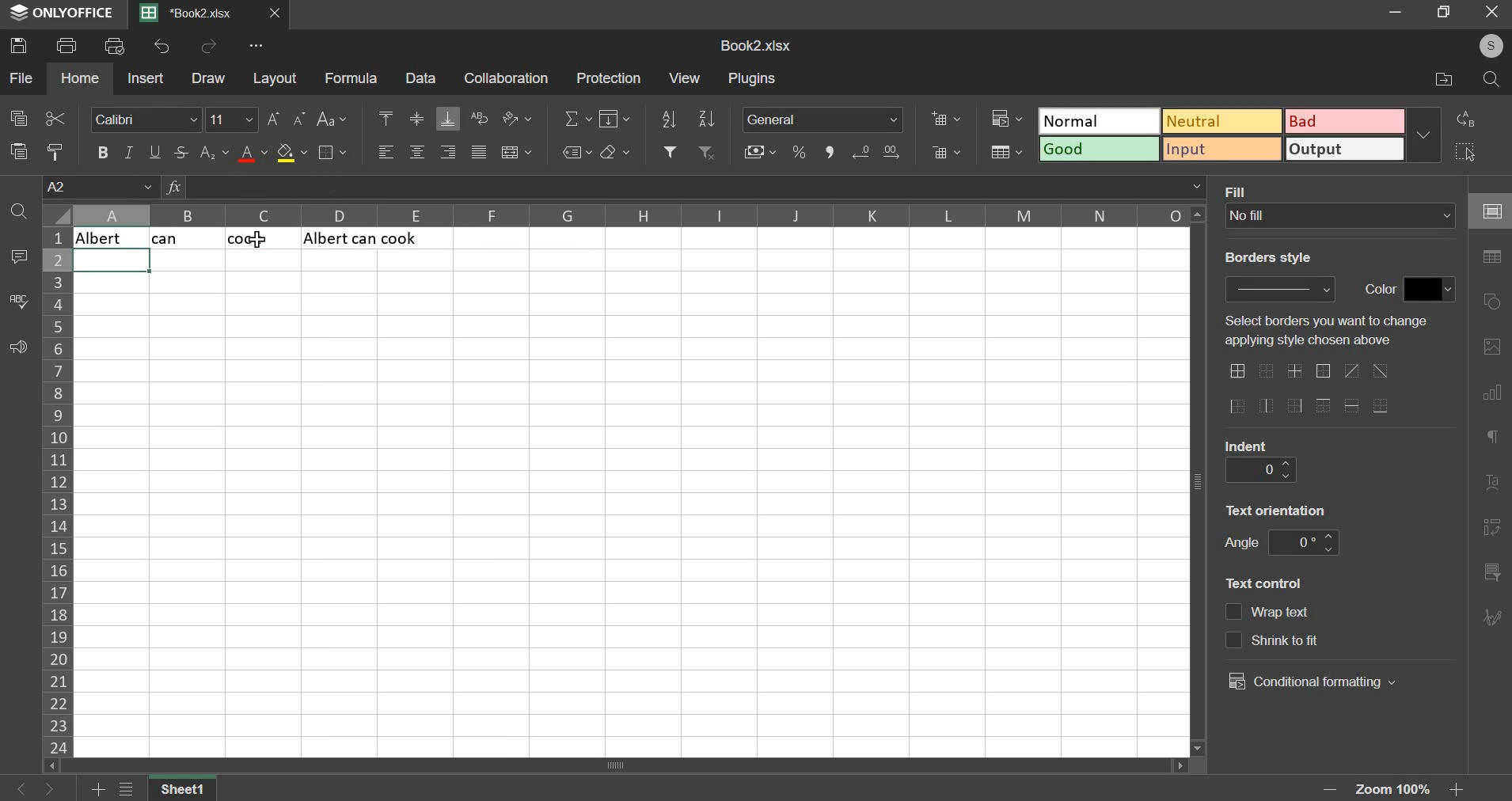 The height and width of the screenshot is (801, 1512). What do you see at coordinates (21, 77) in the screenshot?
I see `file` at bounding box center [21, 77].